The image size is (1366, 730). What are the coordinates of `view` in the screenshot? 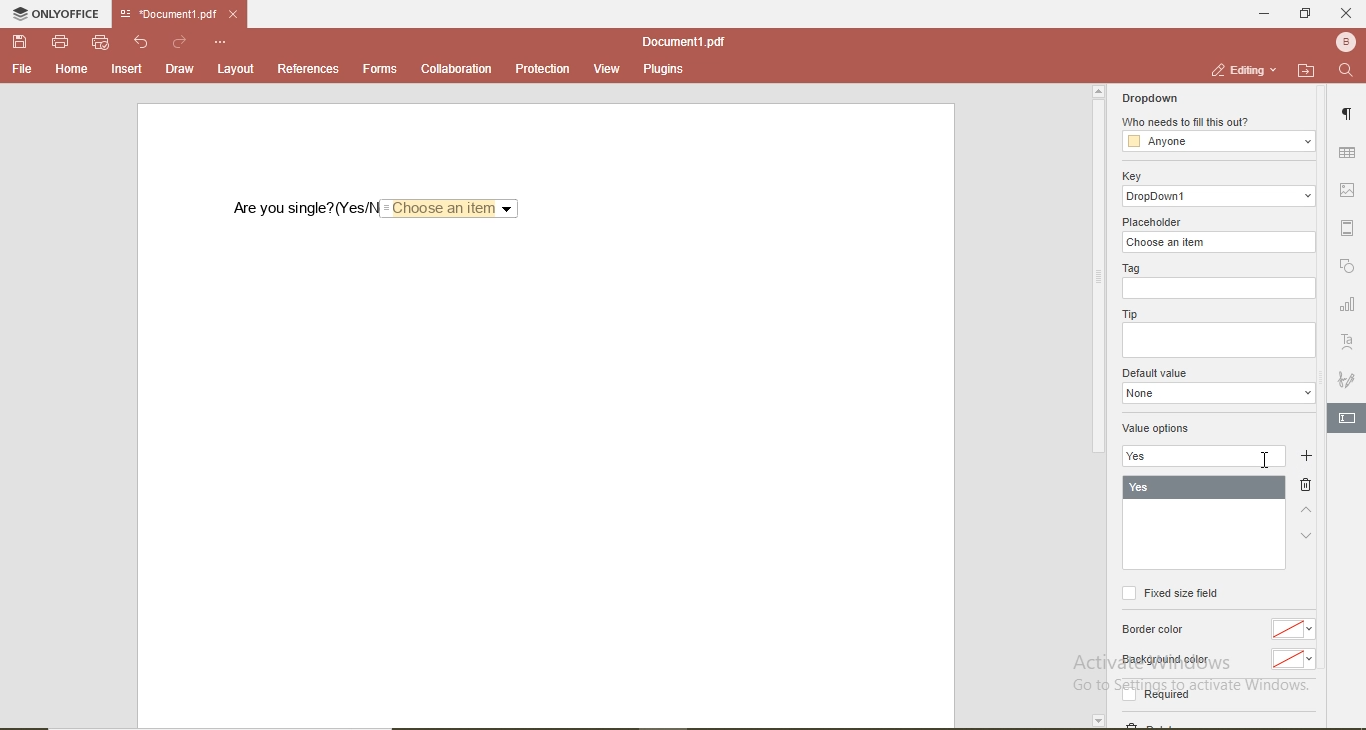 It's located at (607, 69).